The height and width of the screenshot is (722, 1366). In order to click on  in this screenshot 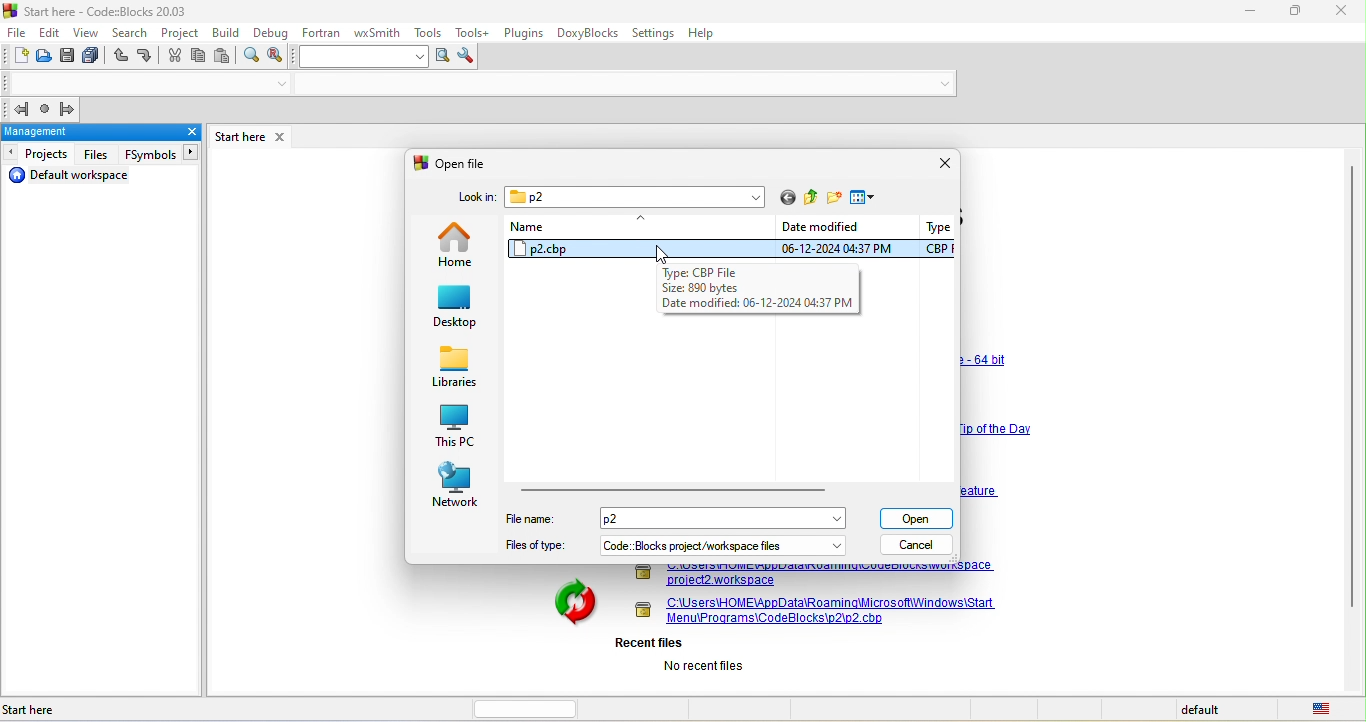, I will do `click(981, 491)`.